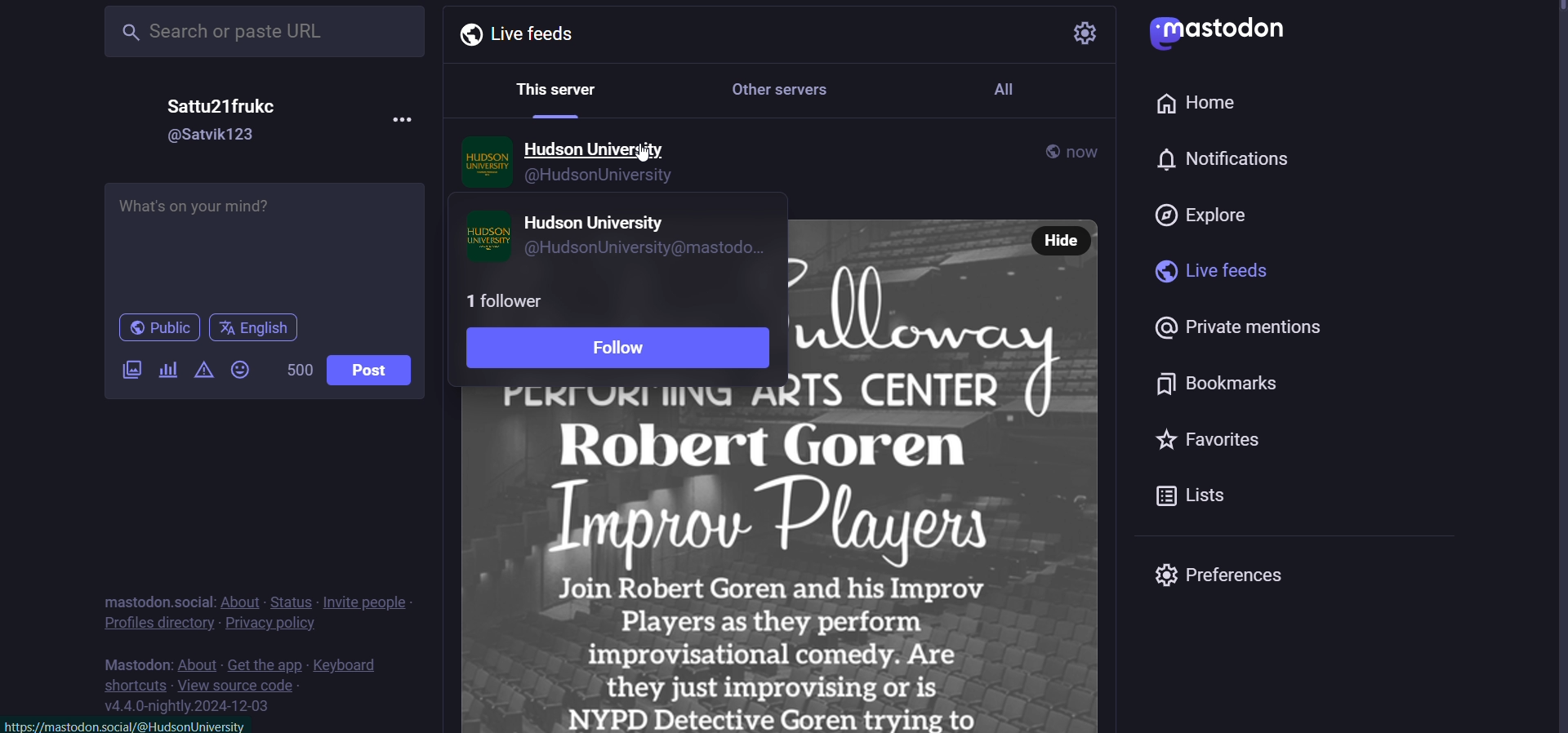  Describe the element at coordinates (510, 300) in the screenshot. I see `1 follower` at that location.